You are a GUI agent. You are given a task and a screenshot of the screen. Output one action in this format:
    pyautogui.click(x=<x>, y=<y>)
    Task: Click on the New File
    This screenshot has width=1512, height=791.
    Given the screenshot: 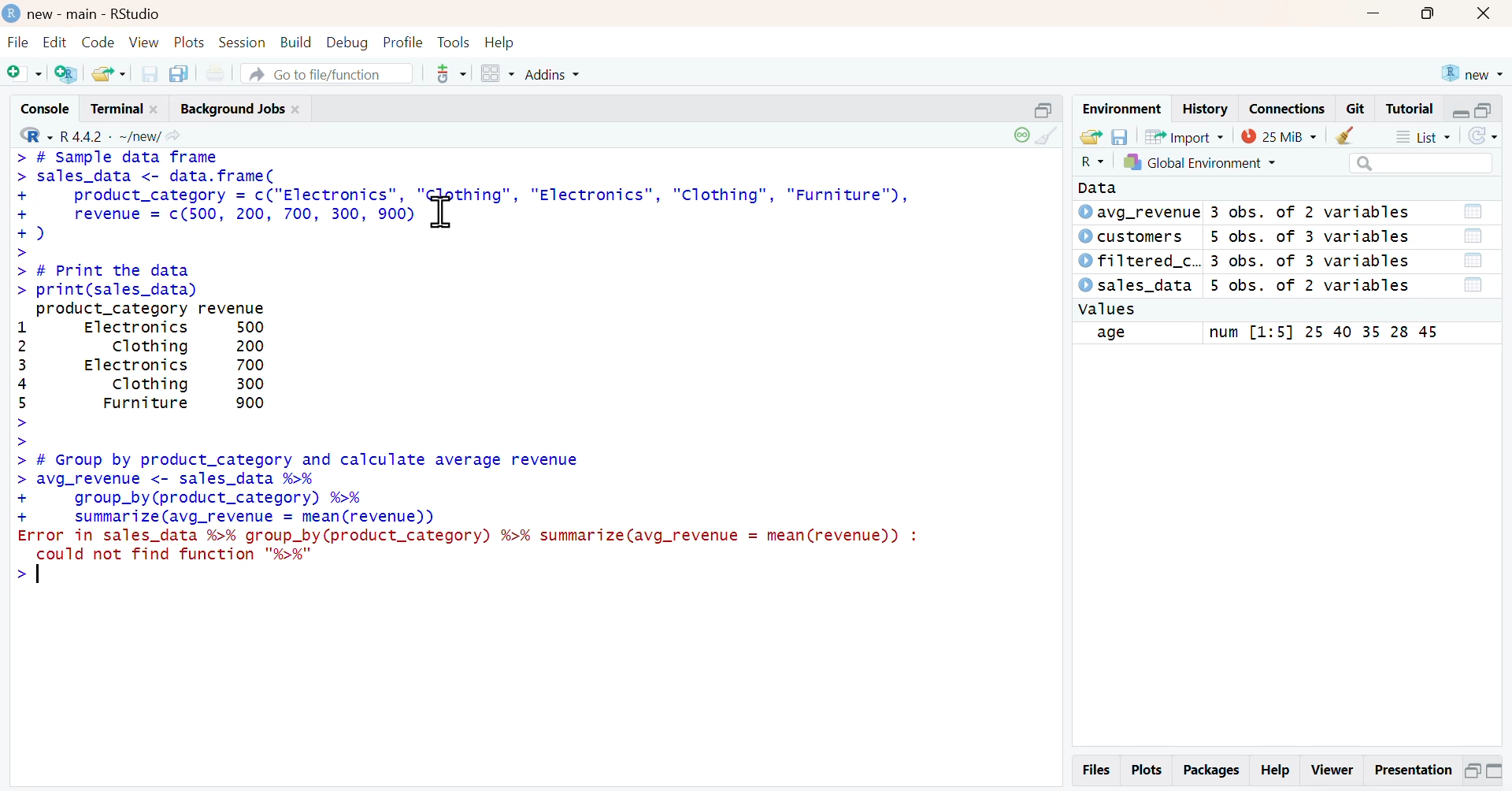 What is the action you would take?
    pyautogui.click(x=24, y=73)
    